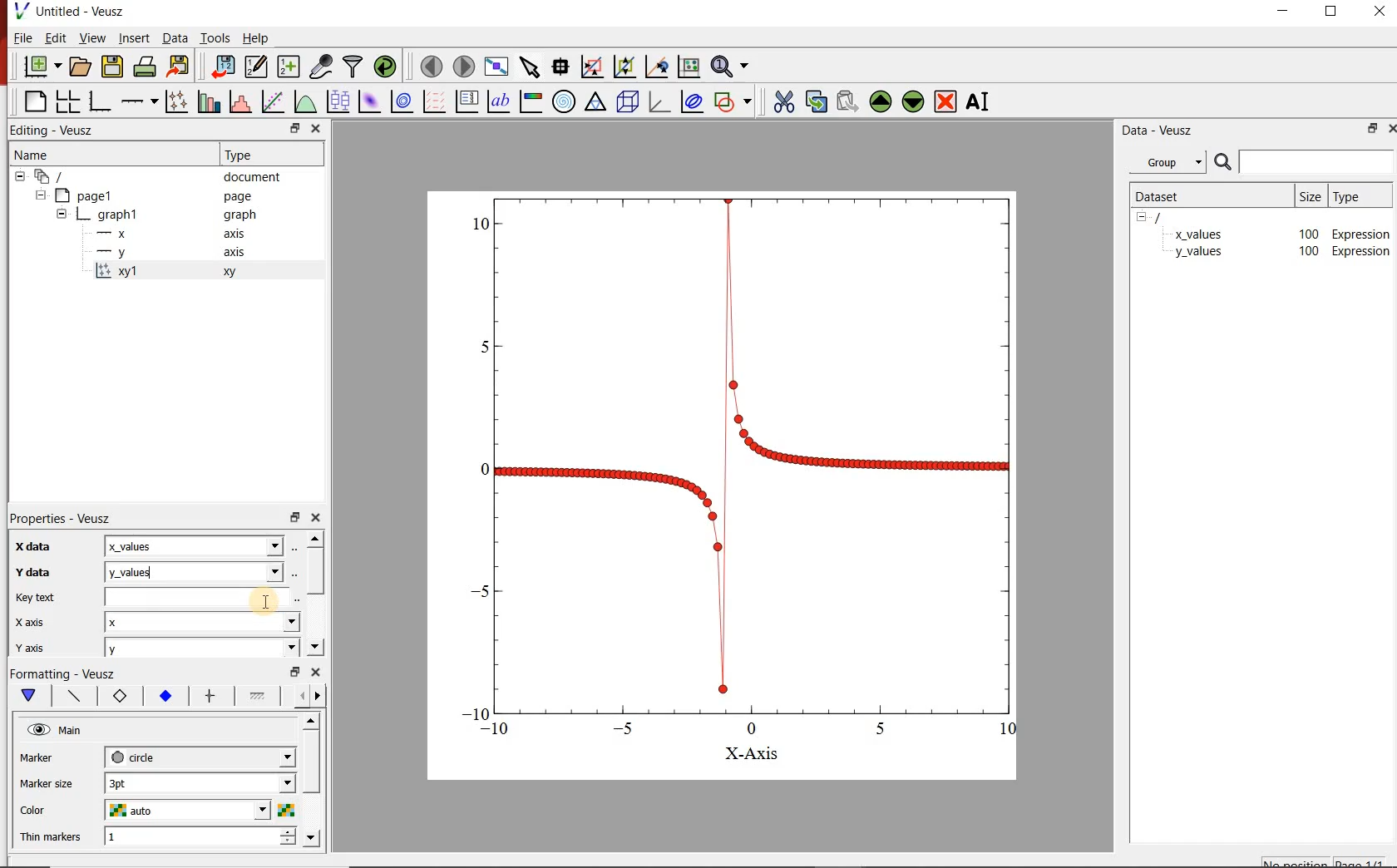 The height and width of the screenshot is (868, 1397). What do you see at coordinates (1361, 252) in the screenshot?
I see `Expression` at bounding box center [1361, 252].